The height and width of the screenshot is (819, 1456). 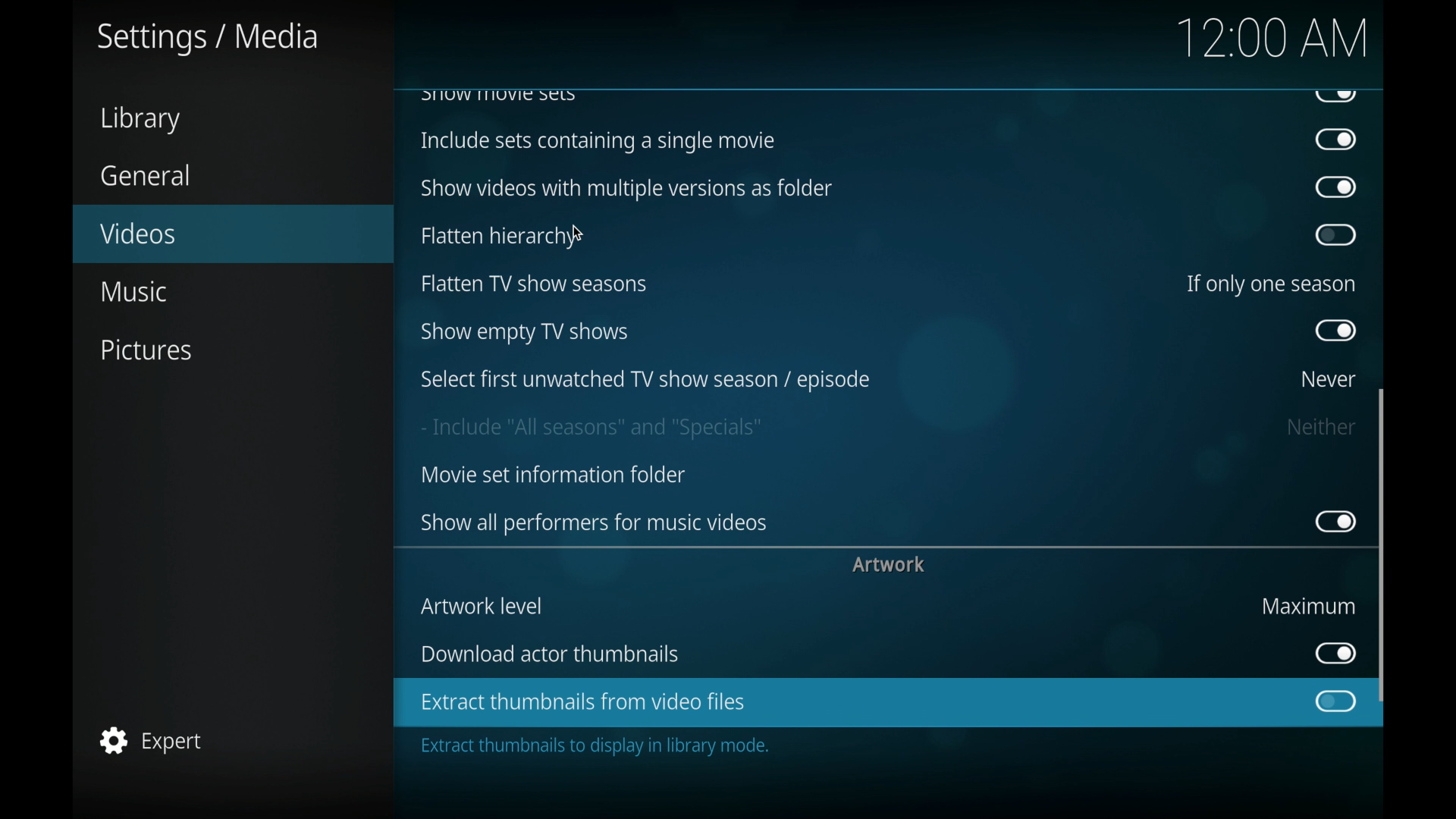 I want to click on select firstunwatched tv show season/episode, so click(x=645, y=381).